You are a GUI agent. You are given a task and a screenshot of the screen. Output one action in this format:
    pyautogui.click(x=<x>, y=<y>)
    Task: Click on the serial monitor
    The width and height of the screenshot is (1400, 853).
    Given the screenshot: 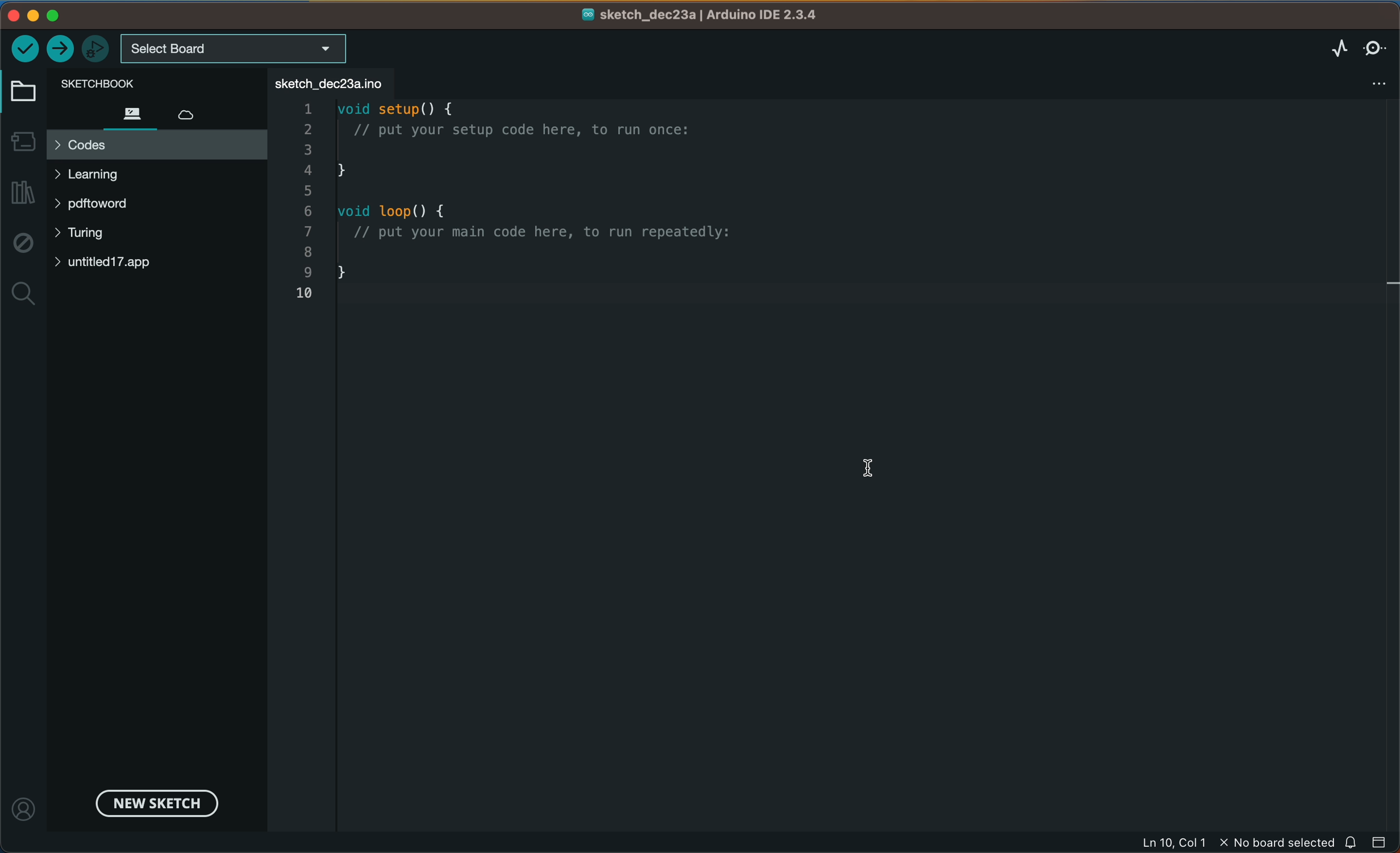 What is the action you would take?
    pyautogui.click(x=1377, y=48)
    